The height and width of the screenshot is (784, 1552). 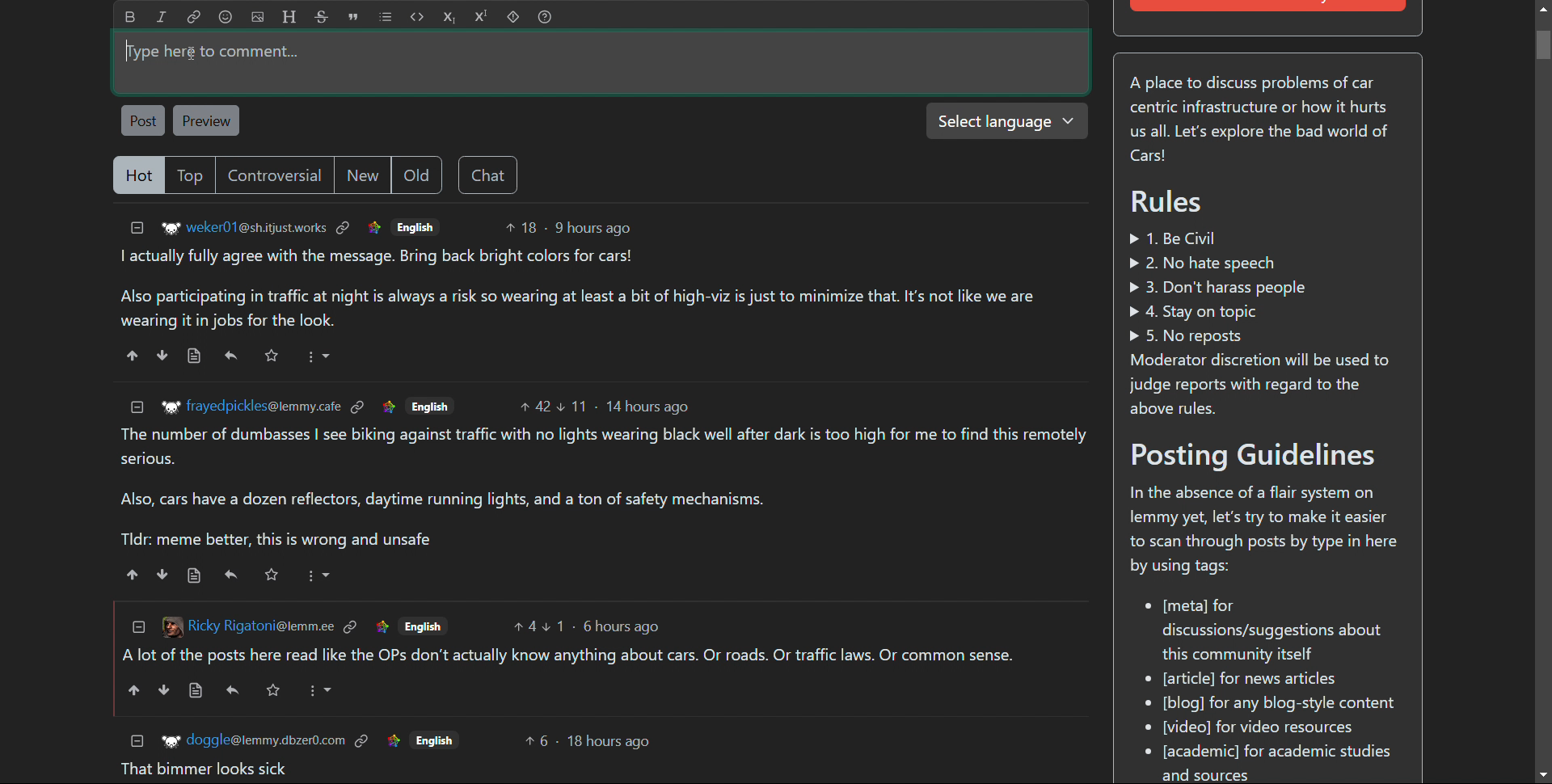 I want to click on [3 Ricky Rigatoni@lemm.ee, so click(x=245, y=625).